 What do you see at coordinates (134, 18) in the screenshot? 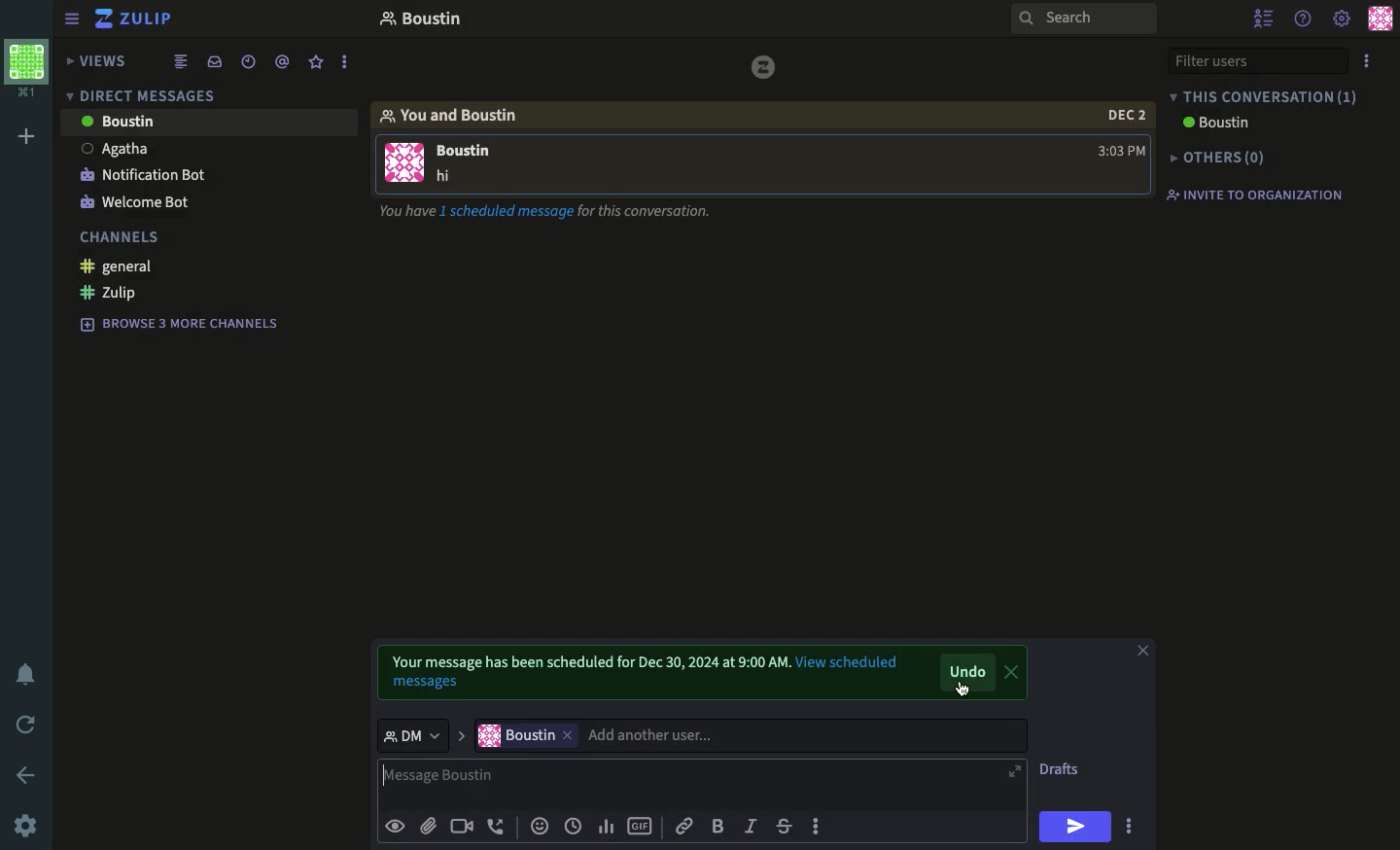
I see `zulip` at bounding box center [134, 18].